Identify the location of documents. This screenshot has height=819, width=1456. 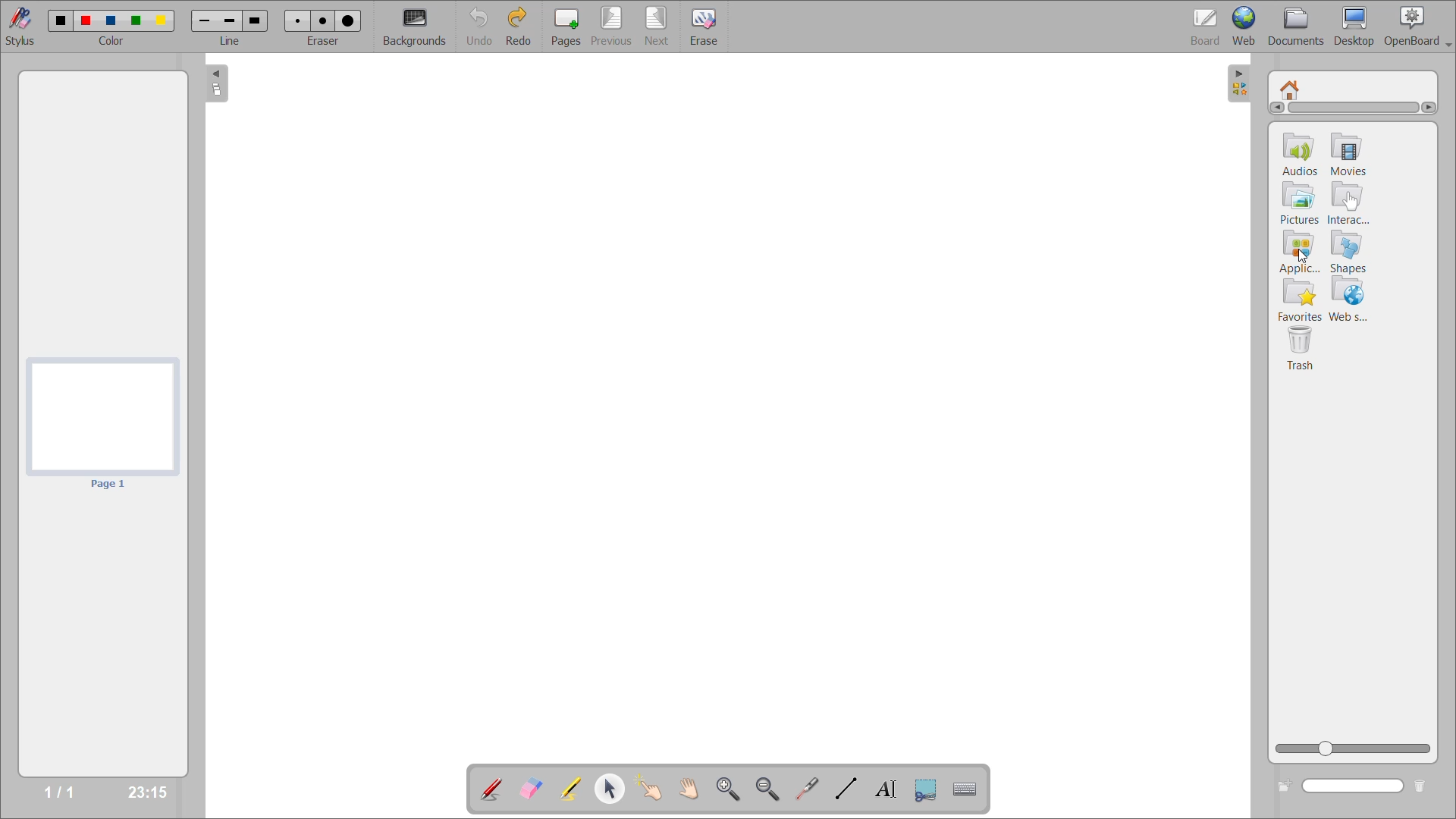
(1298, 27).